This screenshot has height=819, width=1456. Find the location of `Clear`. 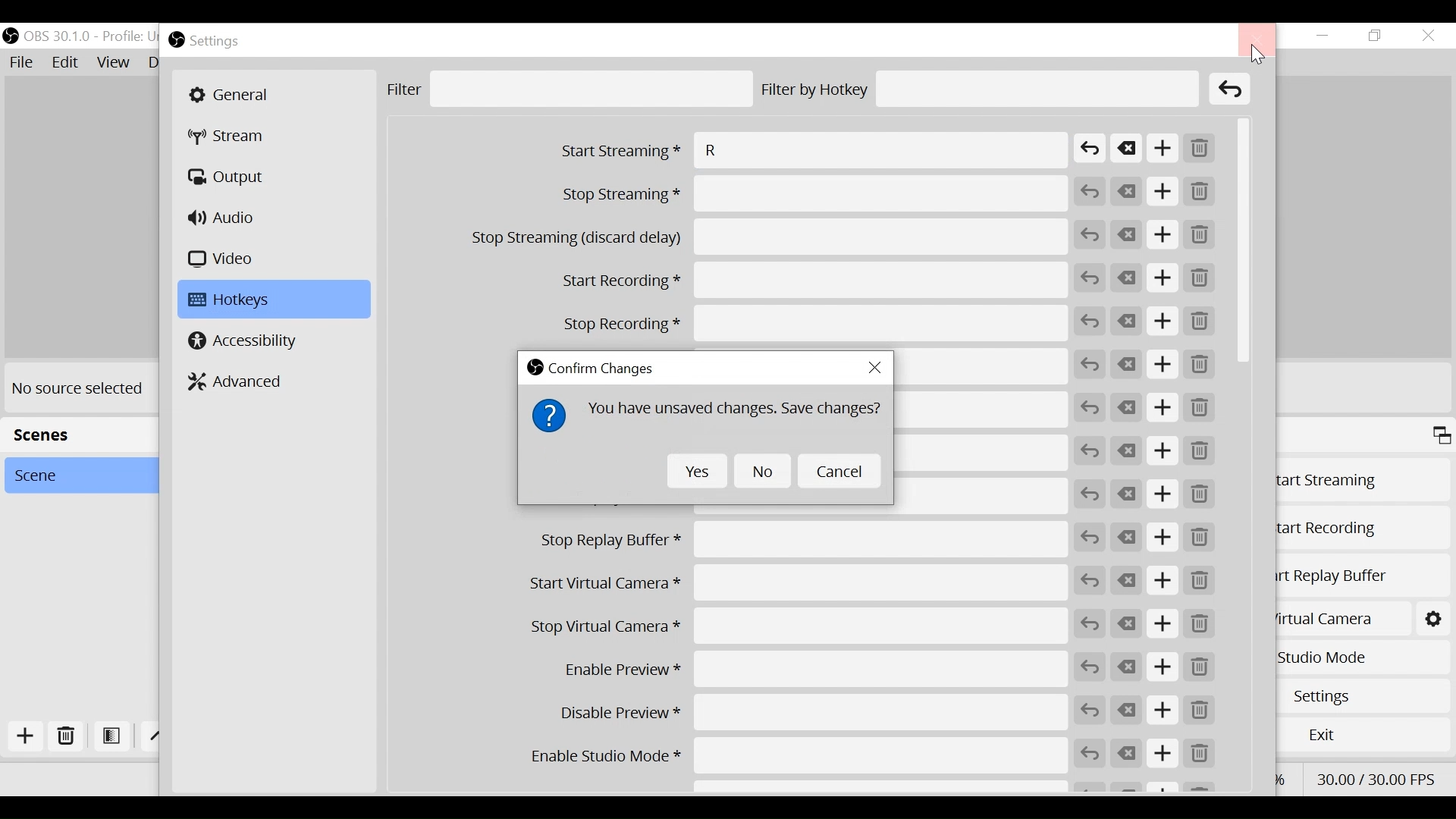

Clear is located at coordinates (1125, 494).